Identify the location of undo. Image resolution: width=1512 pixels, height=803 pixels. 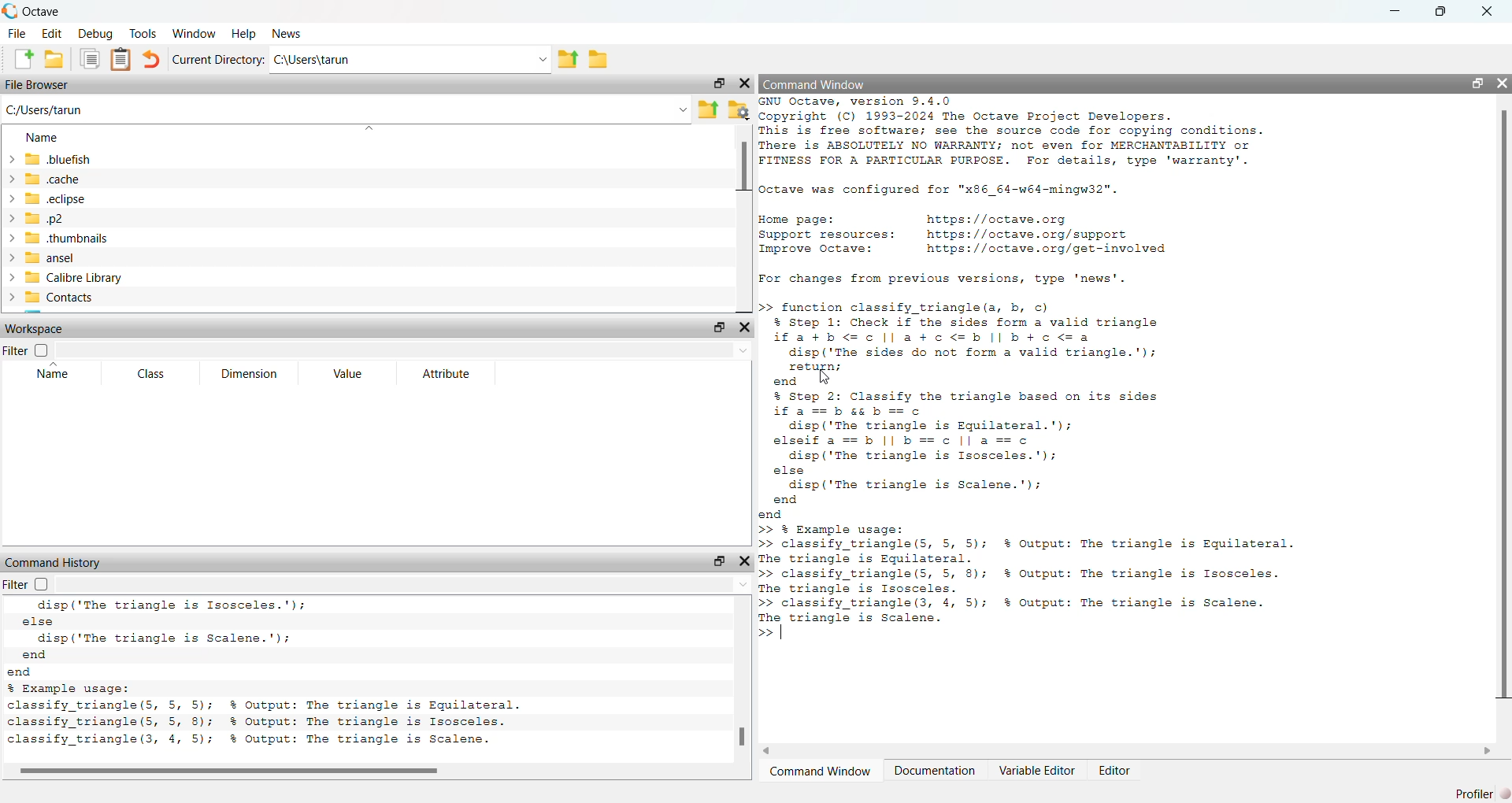
(154, 59).